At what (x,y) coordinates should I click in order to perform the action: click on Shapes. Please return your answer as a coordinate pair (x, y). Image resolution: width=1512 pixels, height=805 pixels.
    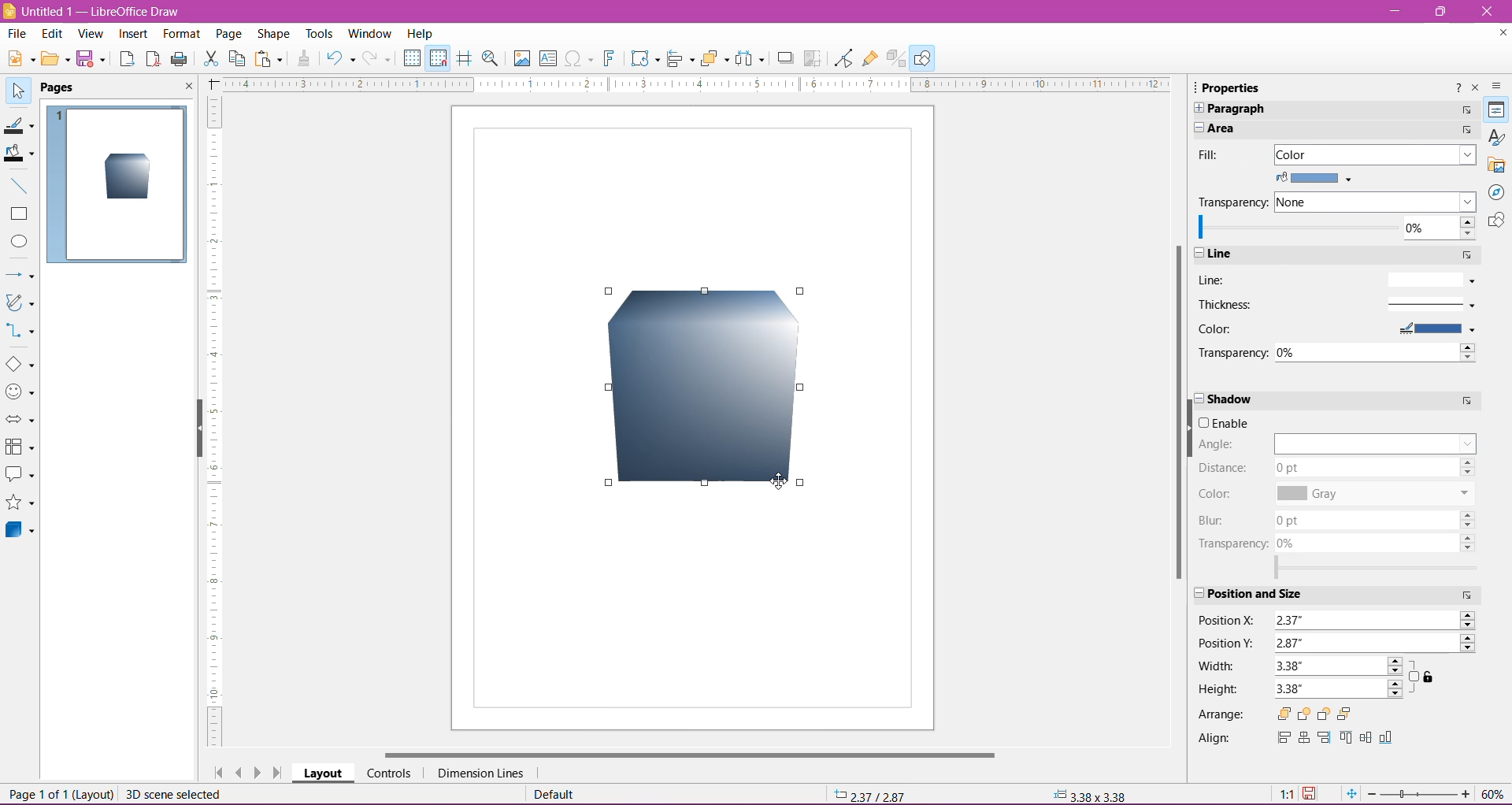
    Looking at the image, I should click on (1495, 221).